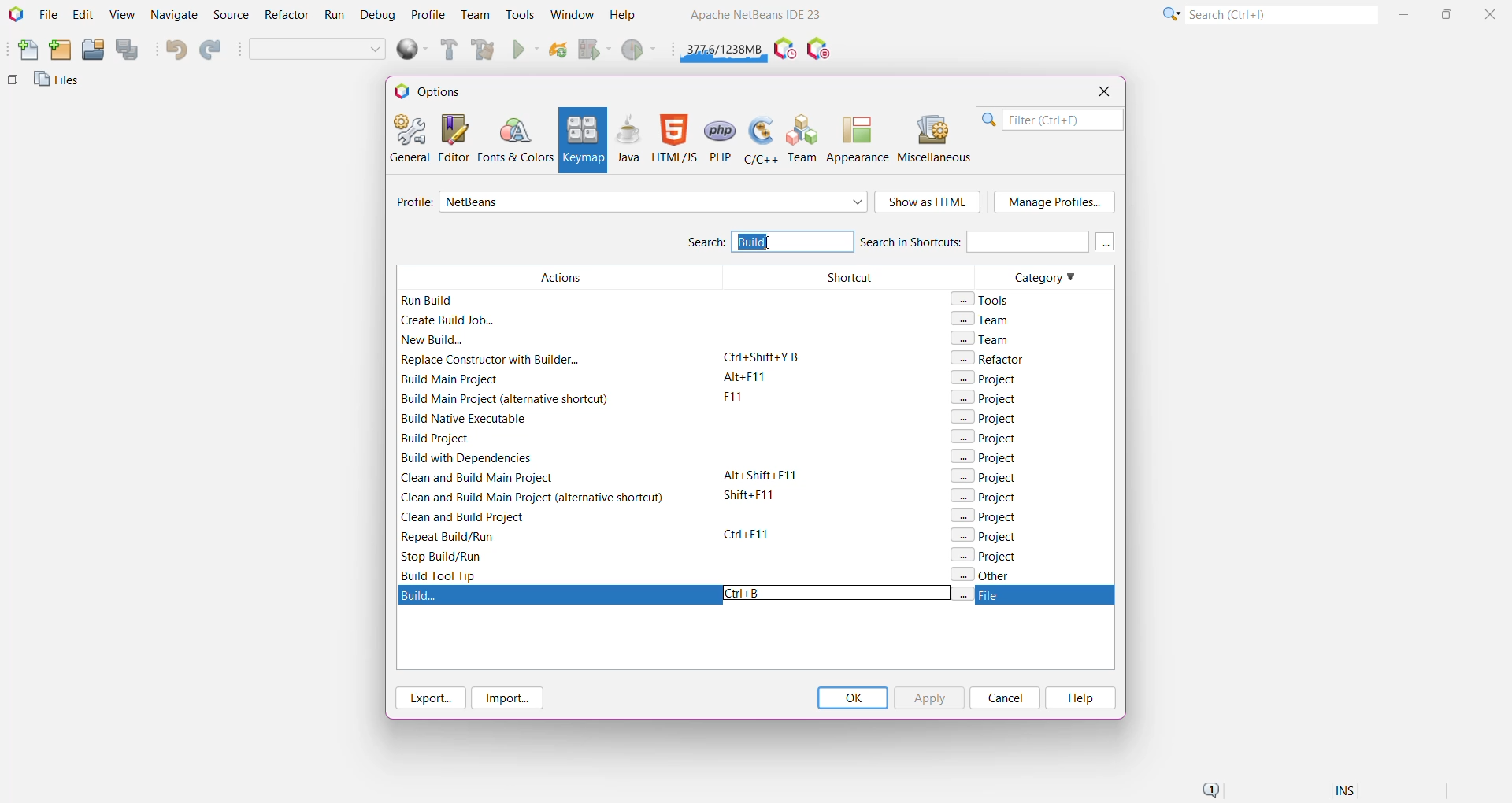 This screenshot has width=1512, height=803. Describe the element at coordinates (83, 16) in the screenshot. I see `Edit` at that location.